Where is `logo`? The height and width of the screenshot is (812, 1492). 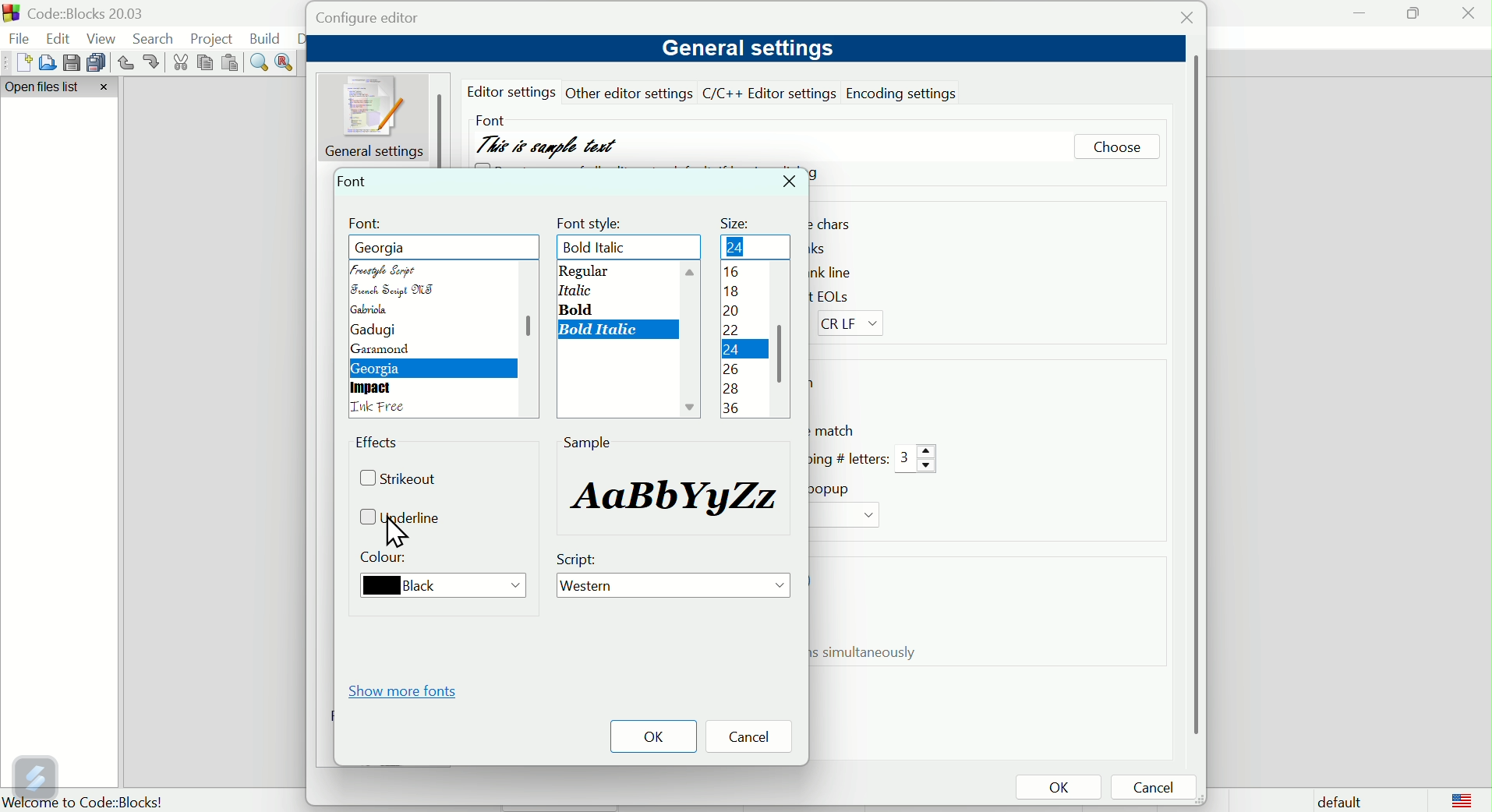 logo is located at coordinates (1462, 800).